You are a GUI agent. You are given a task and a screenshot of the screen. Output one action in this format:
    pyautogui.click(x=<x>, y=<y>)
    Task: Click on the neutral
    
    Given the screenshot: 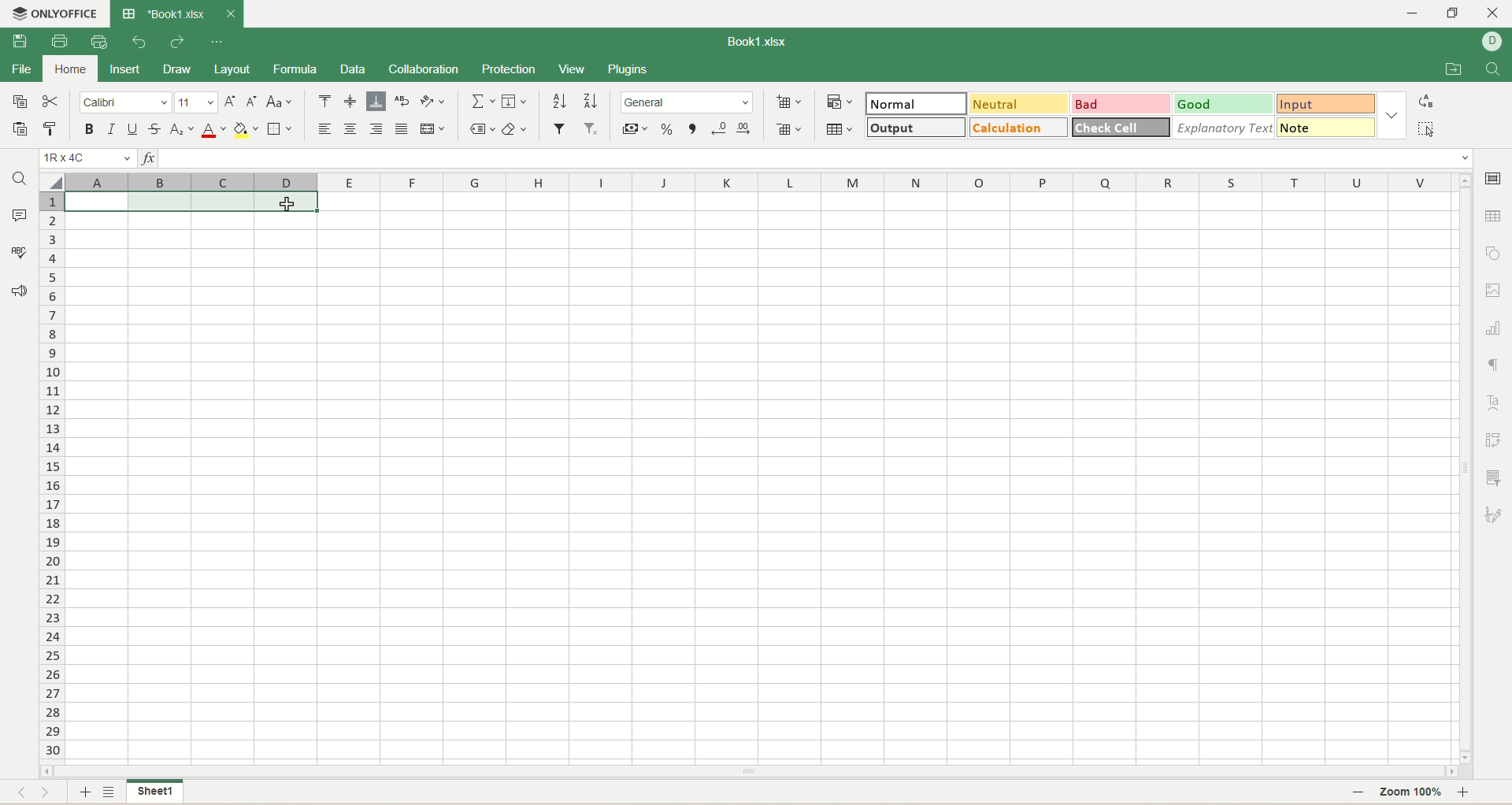 What is the action you would take?
    pyautogui.click(x=1018, y=102)
    